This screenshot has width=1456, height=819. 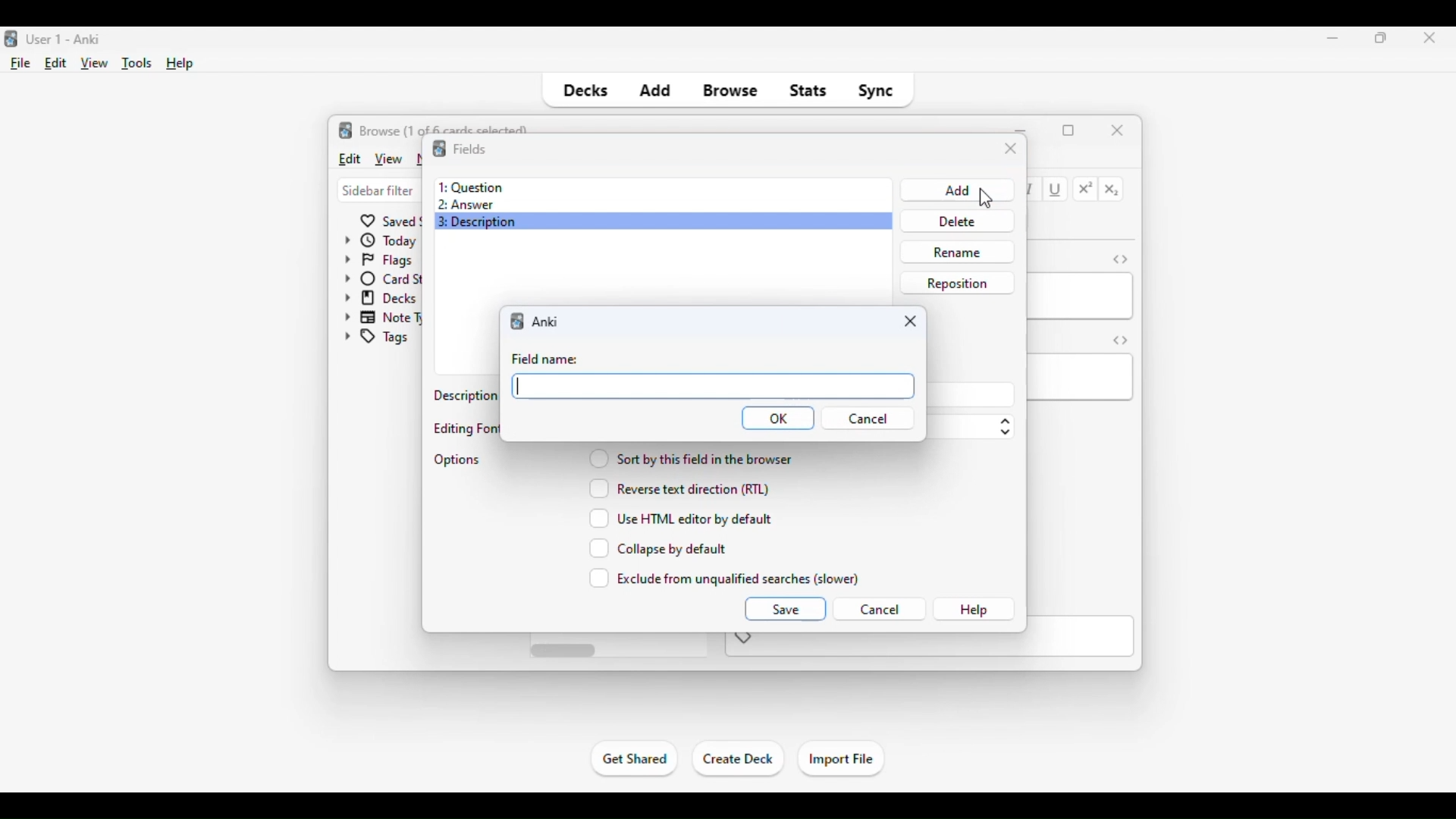 What do you see at coordinates (1056, 190) in the screenshot?
I see `underline` at bounding box center [1056, 190].